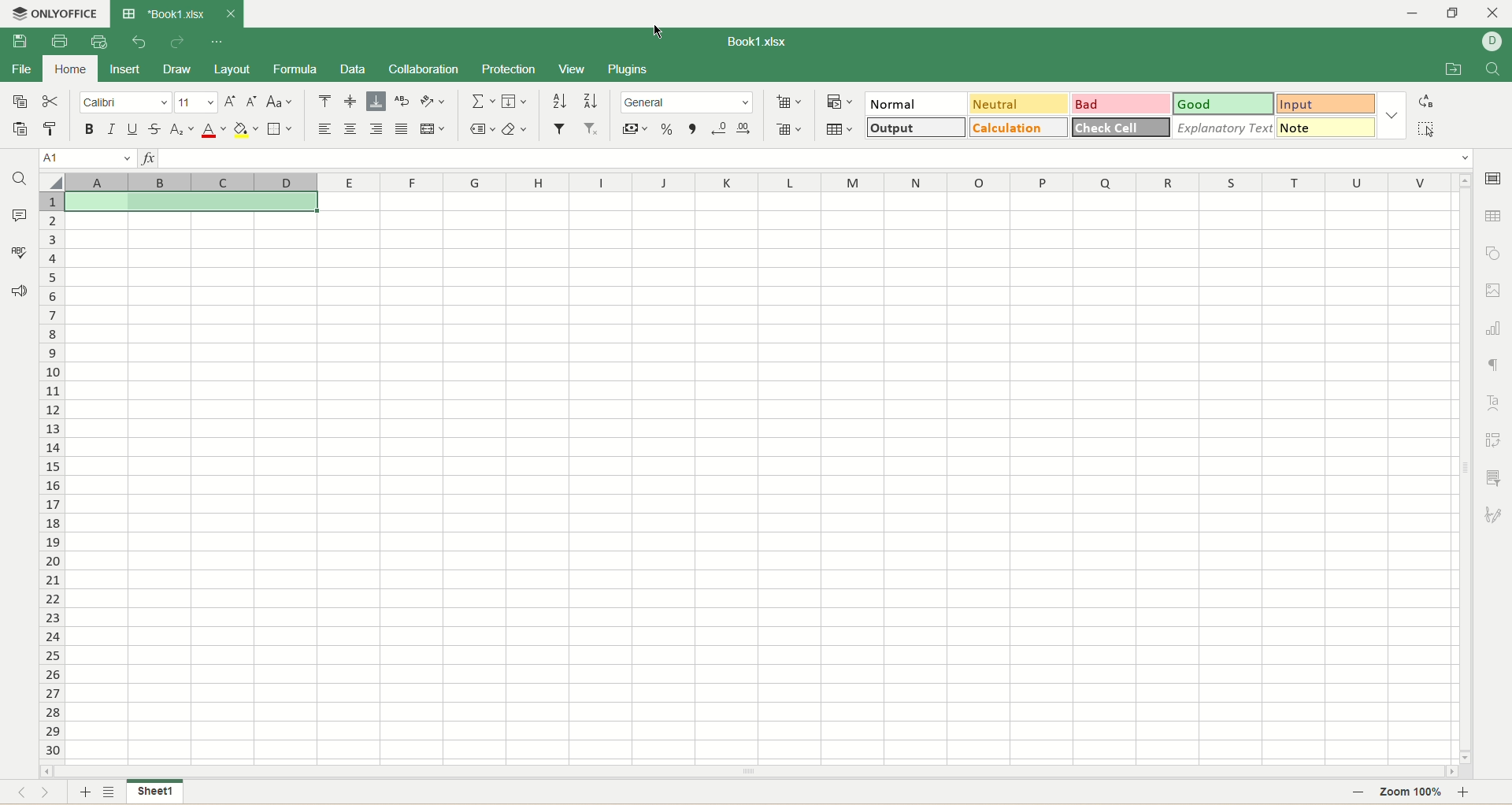 This screenshot has height=805, width=1512. I want to click on quick print, so click(99, 42).